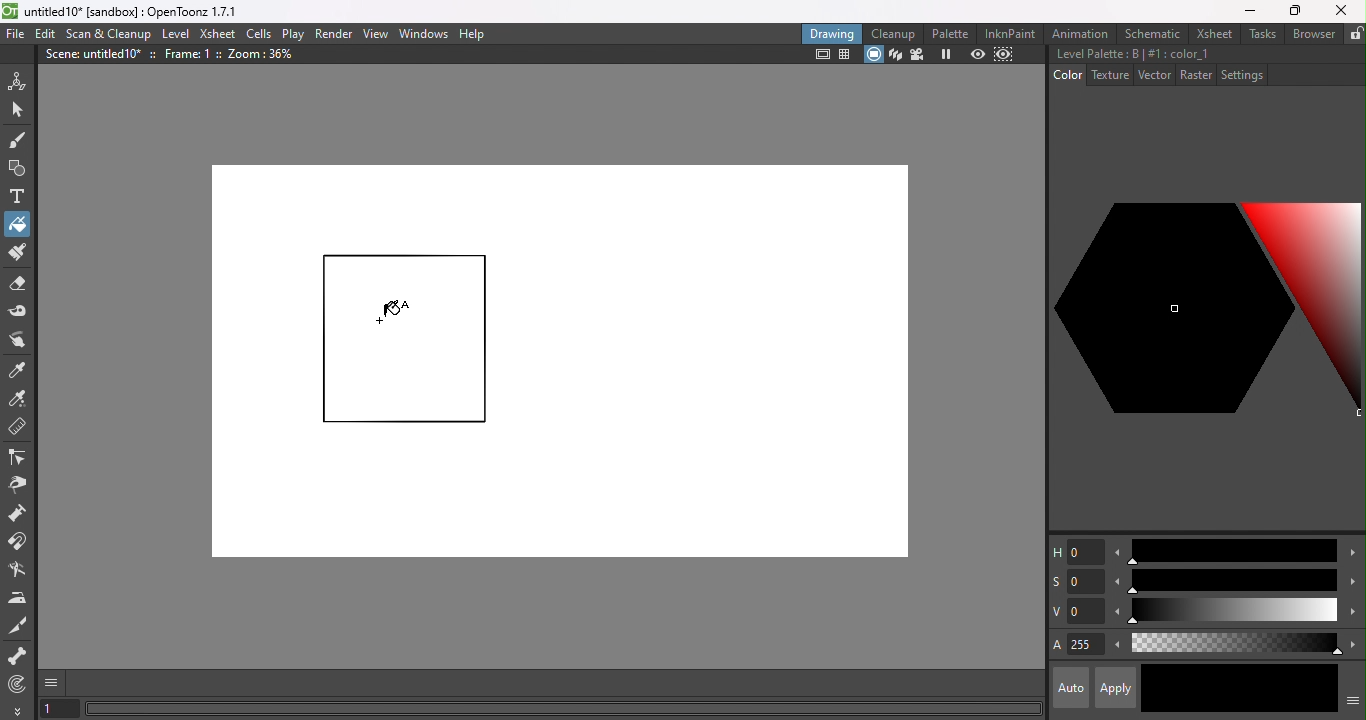  I want to click on Fill tool, so click(17, 223).